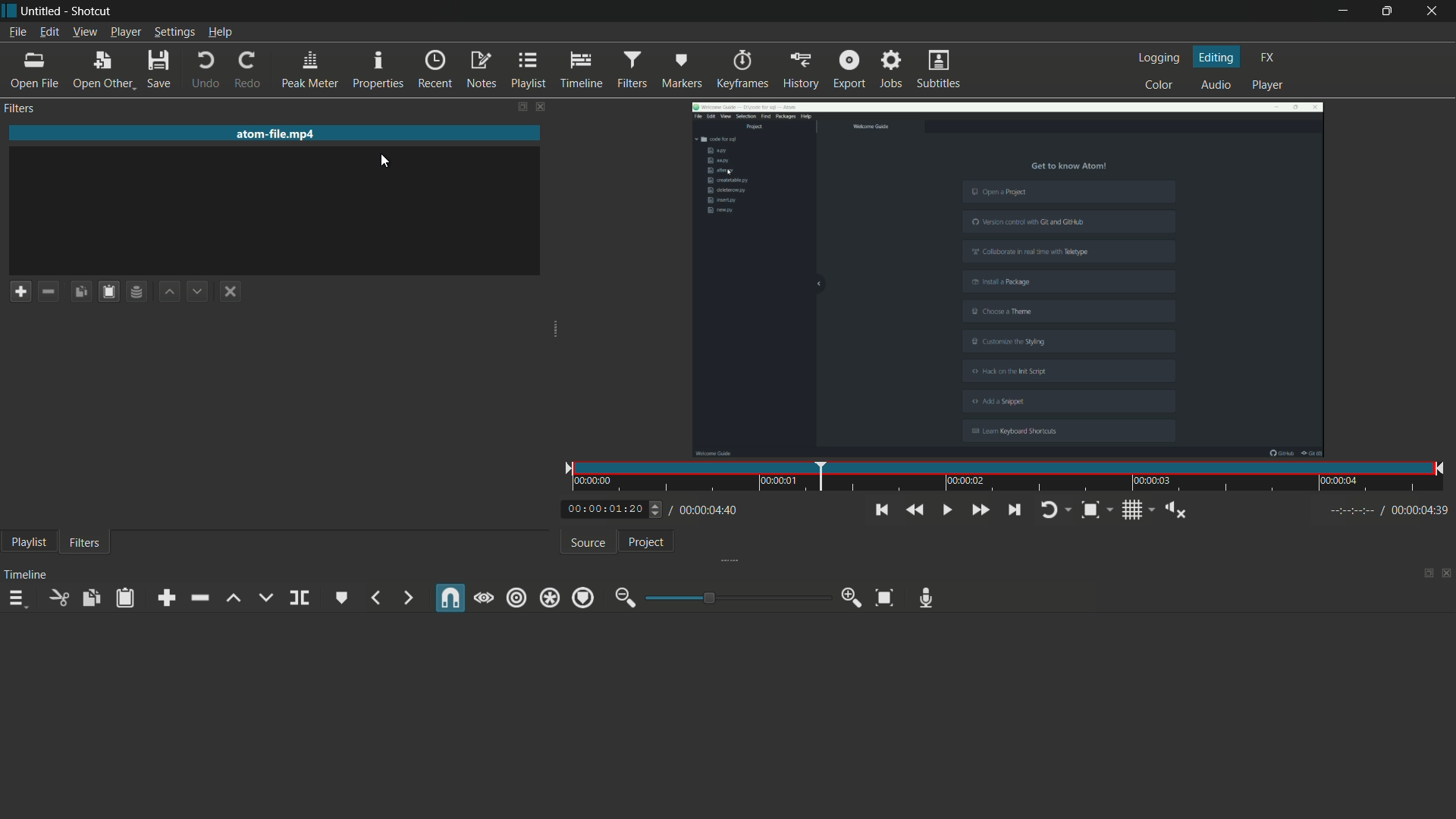  Describe the element at coordinates (582, 71) in the screenshot. I see `timeline` at that location.